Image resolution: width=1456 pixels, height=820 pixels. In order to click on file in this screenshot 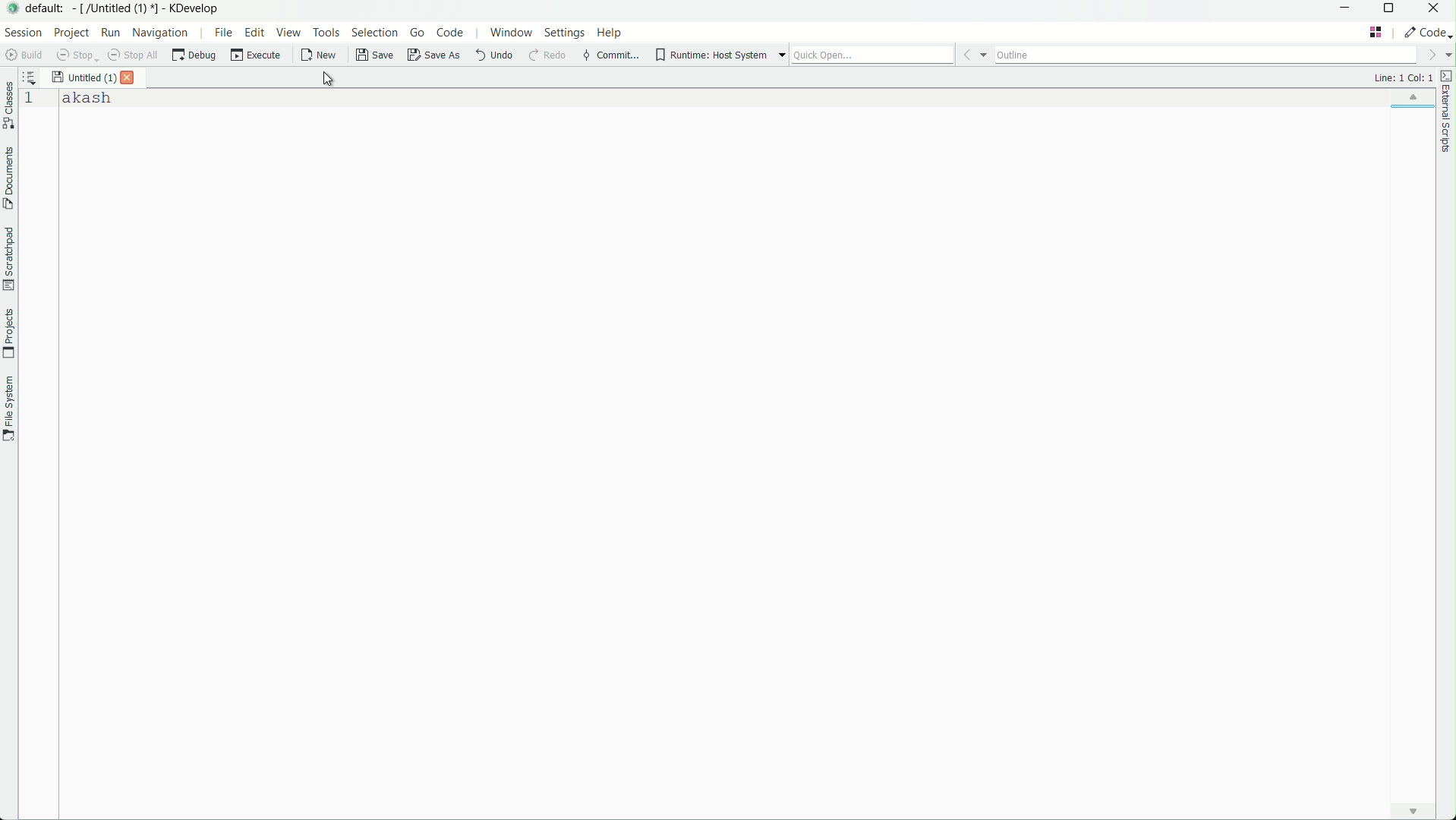, I will do `click(220, 33)`.